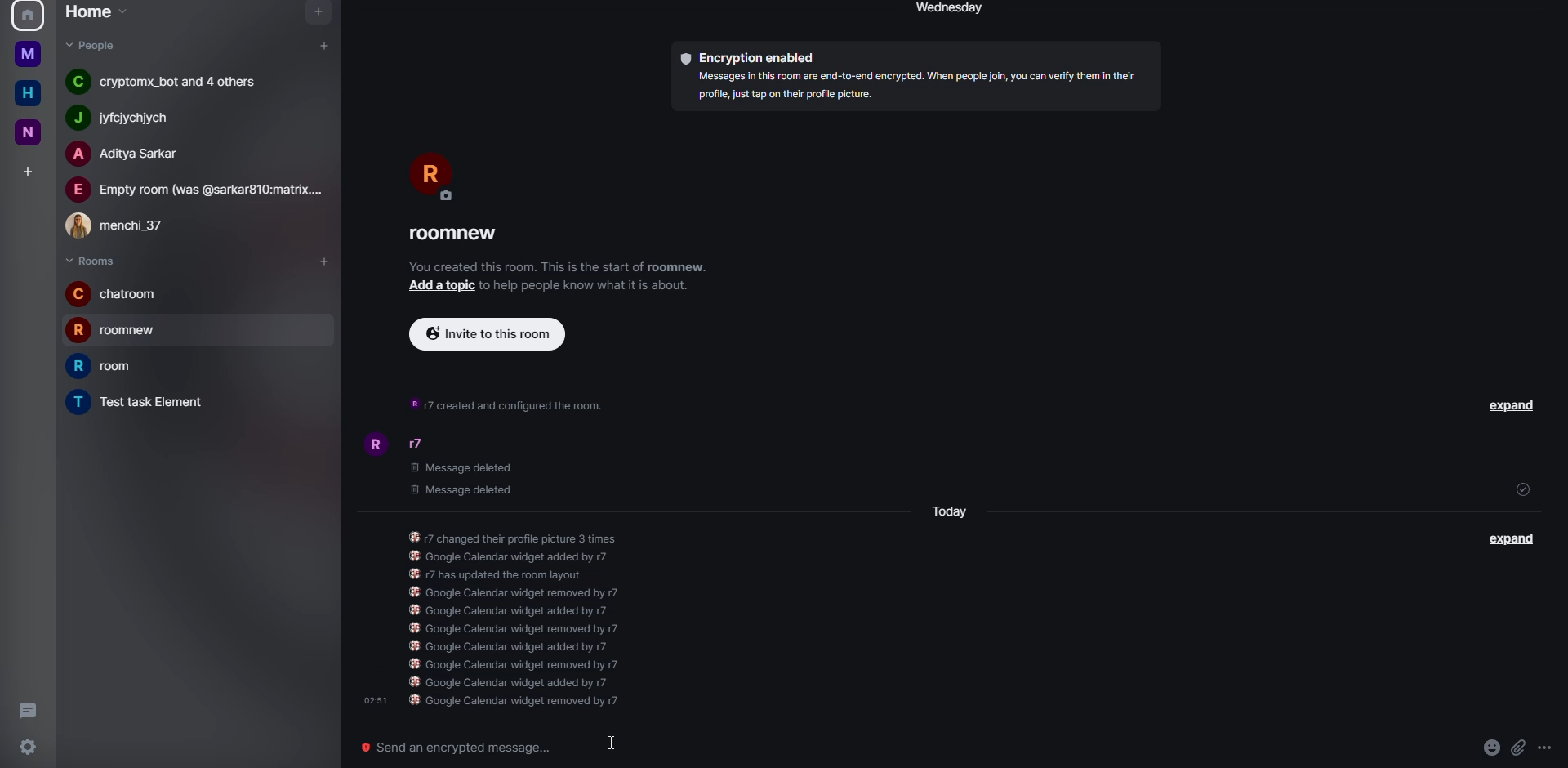 The image size is (1568, 768). Describe the element at coordinates (466, 748) in the screenshot. I see `send an encrypted message` at that location.